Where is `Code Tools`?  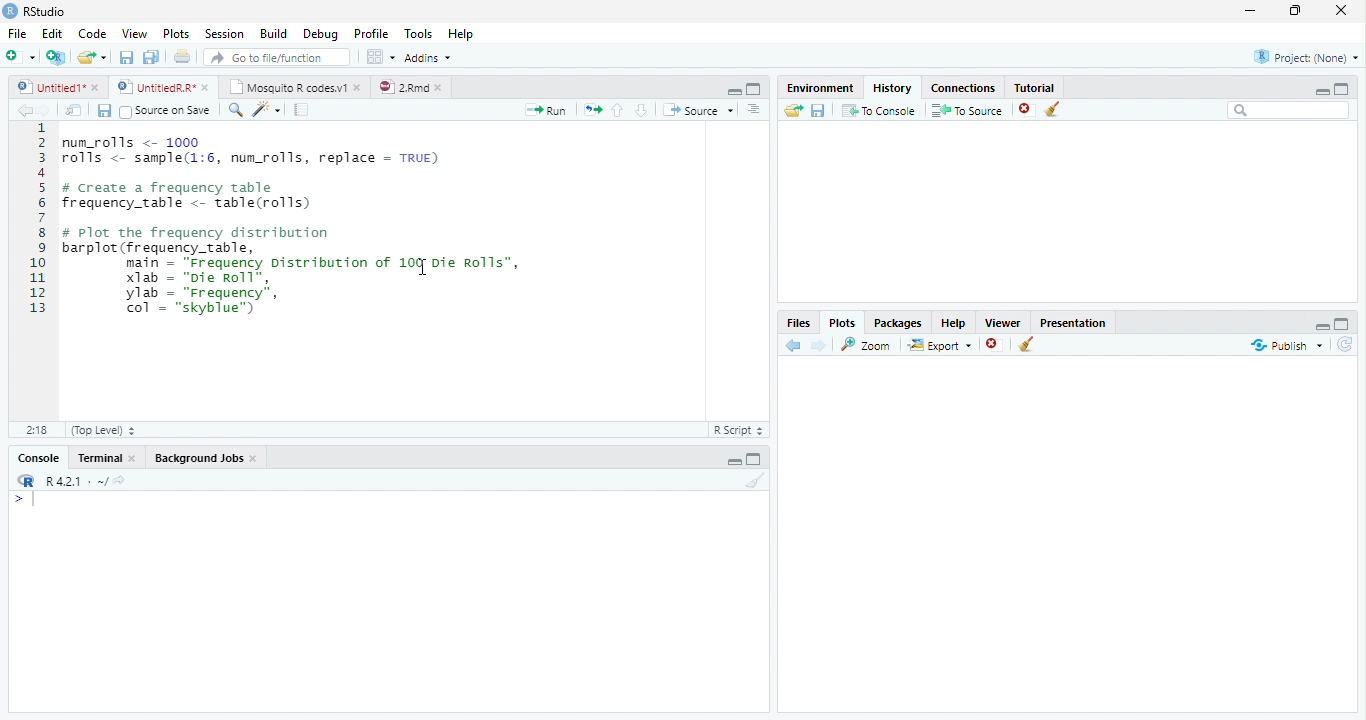
Code Tools is located at coordinates (265, 110).